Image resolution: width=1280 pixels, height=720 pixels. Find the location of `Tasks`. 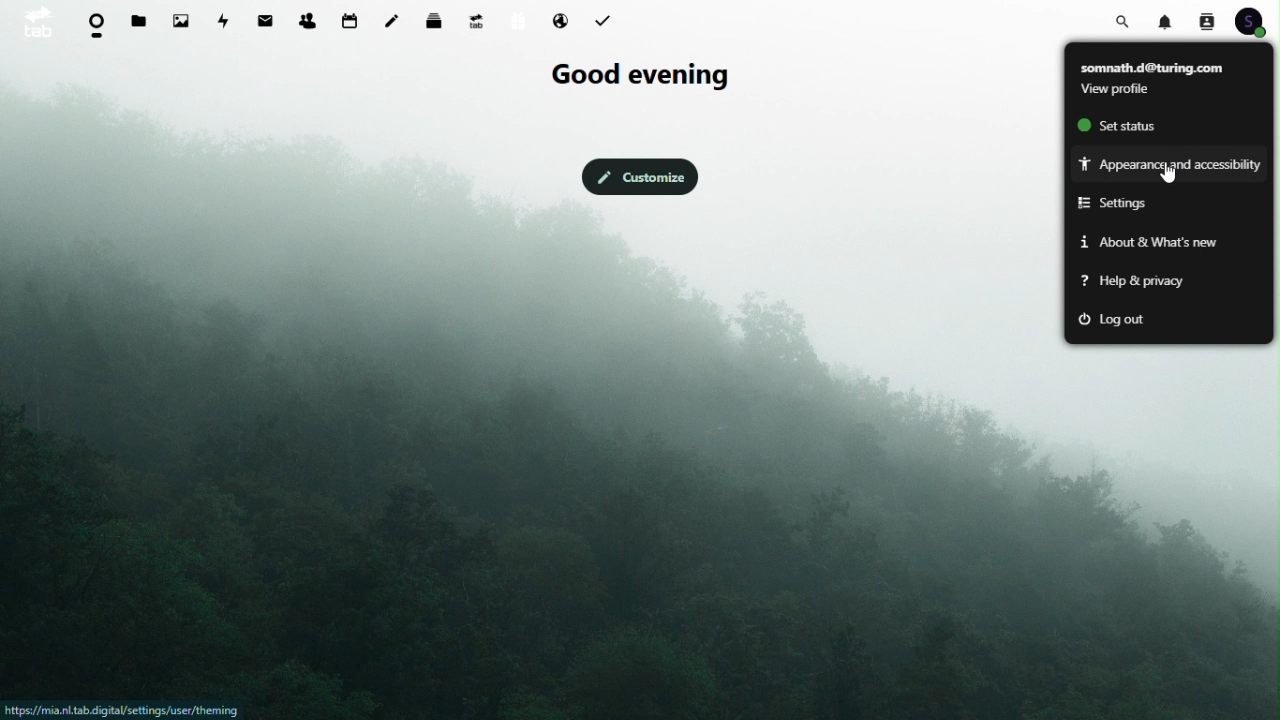

Tasks is located at coordinates (606, 19).